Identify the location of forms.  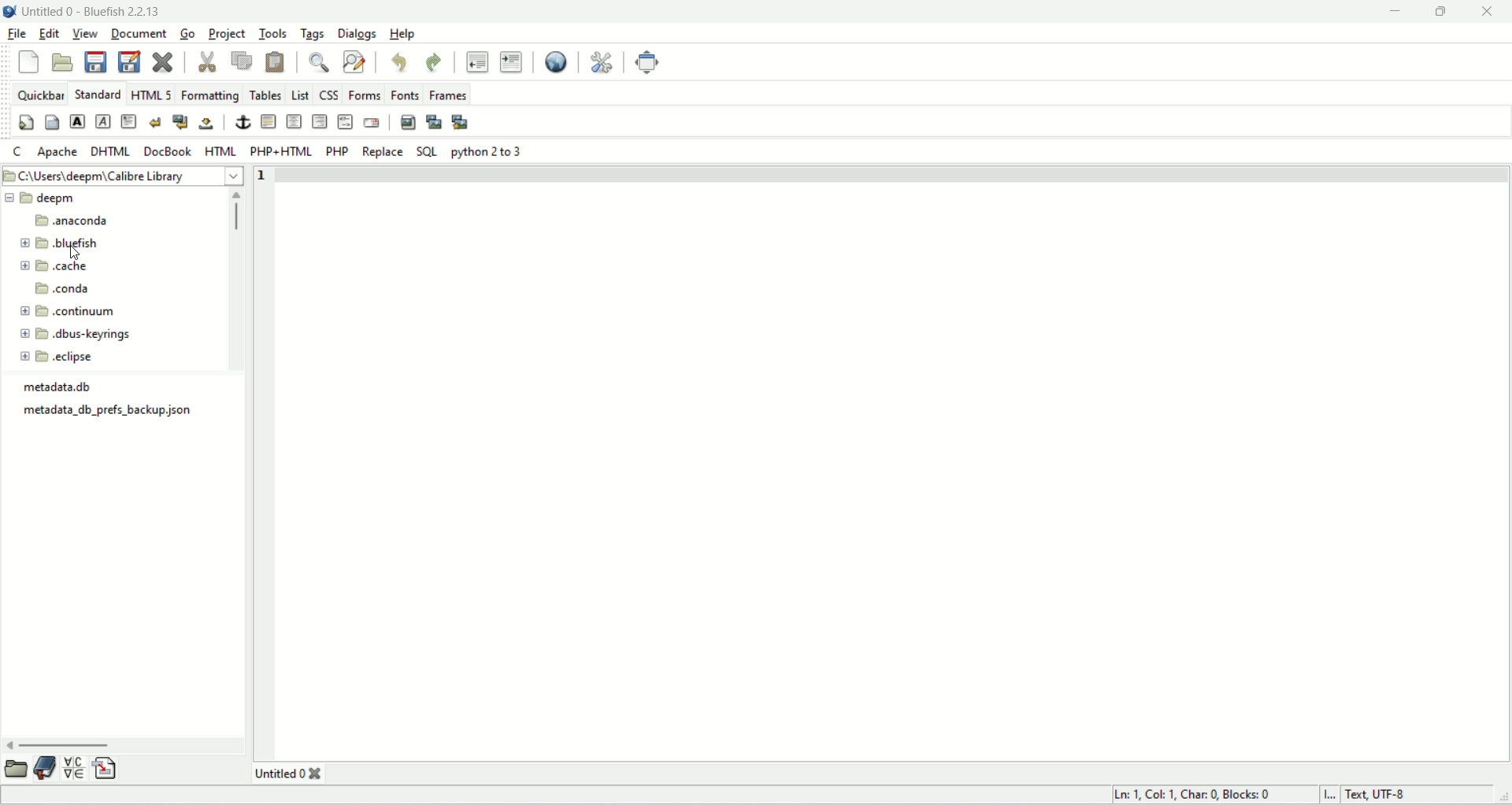
(364, 96).